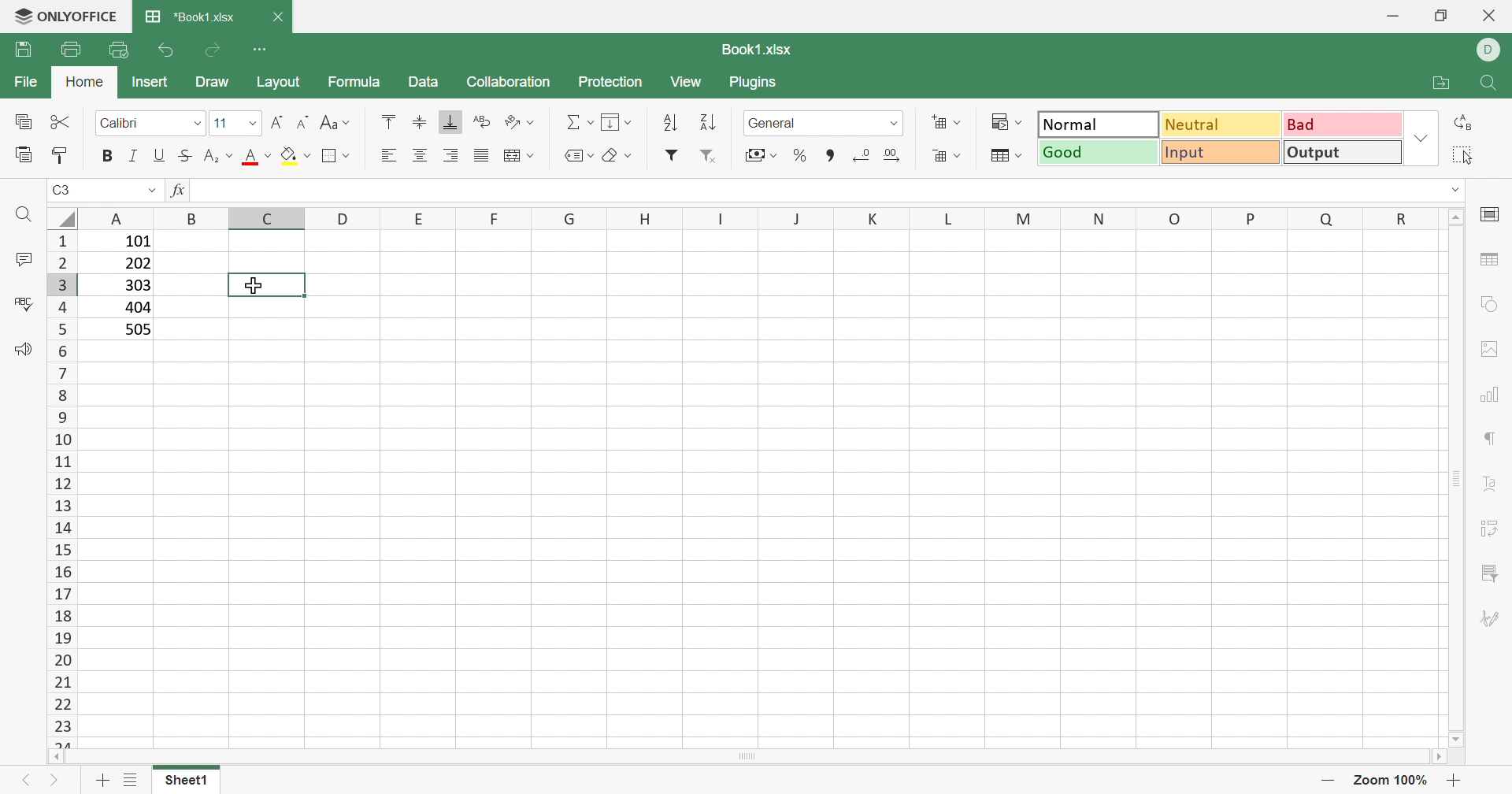  I want to click on Change case, so click(338, 124).